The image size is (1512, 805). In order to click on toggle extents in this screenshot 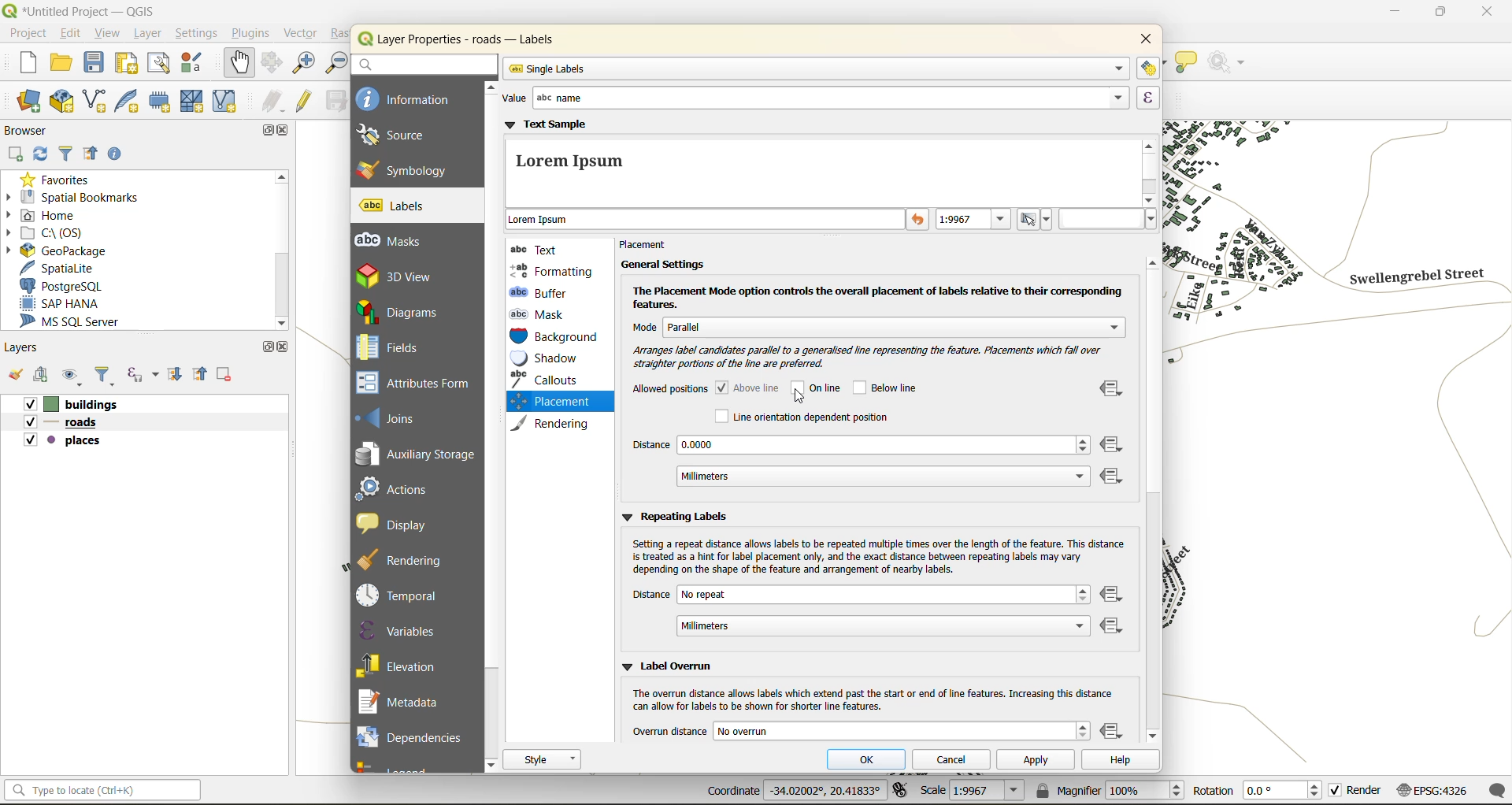, I will do `click(900, 788)`.